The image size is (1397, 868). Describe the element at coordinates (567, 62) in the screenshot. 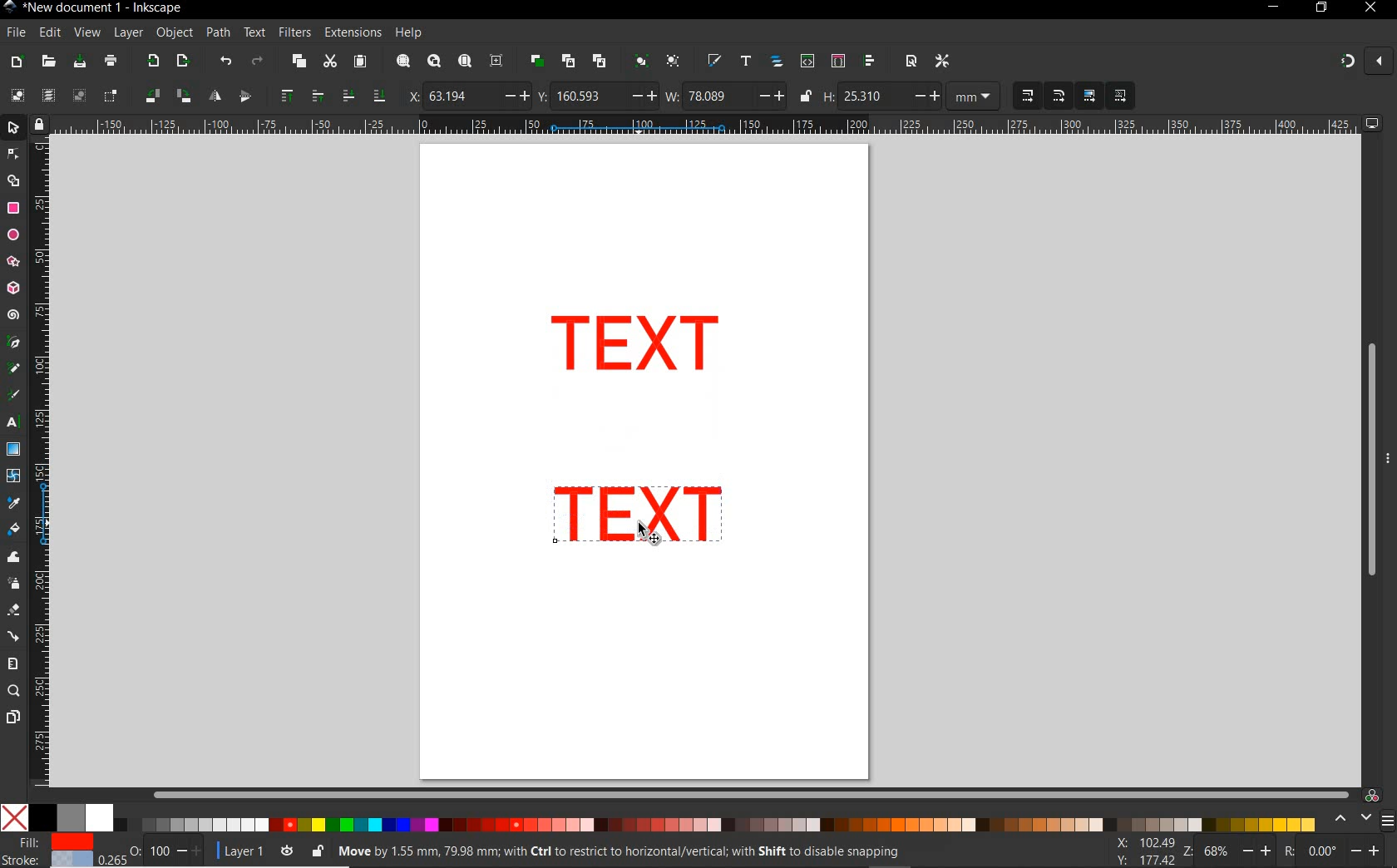

I see `create clone` at that location.